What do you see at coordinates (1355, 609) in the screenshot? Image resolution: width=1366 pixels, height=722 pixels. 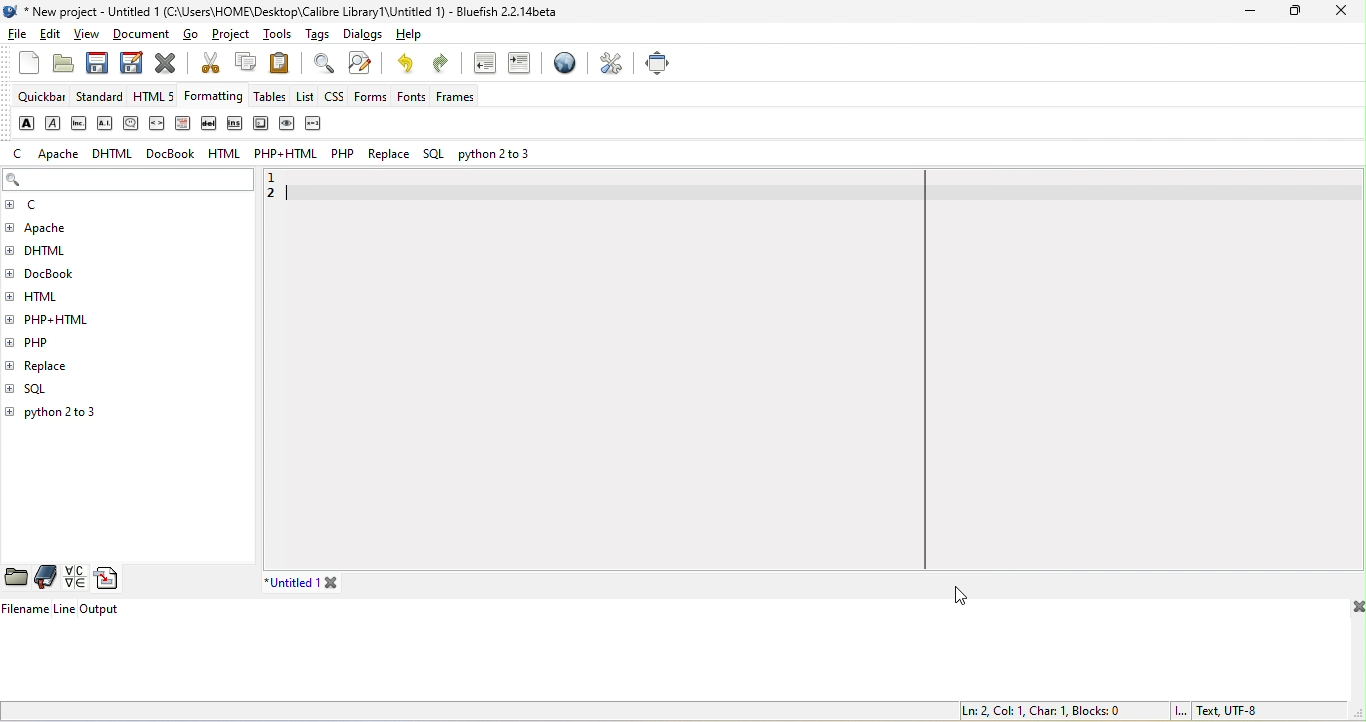 I see `close` at bounding box center [1355, 609].